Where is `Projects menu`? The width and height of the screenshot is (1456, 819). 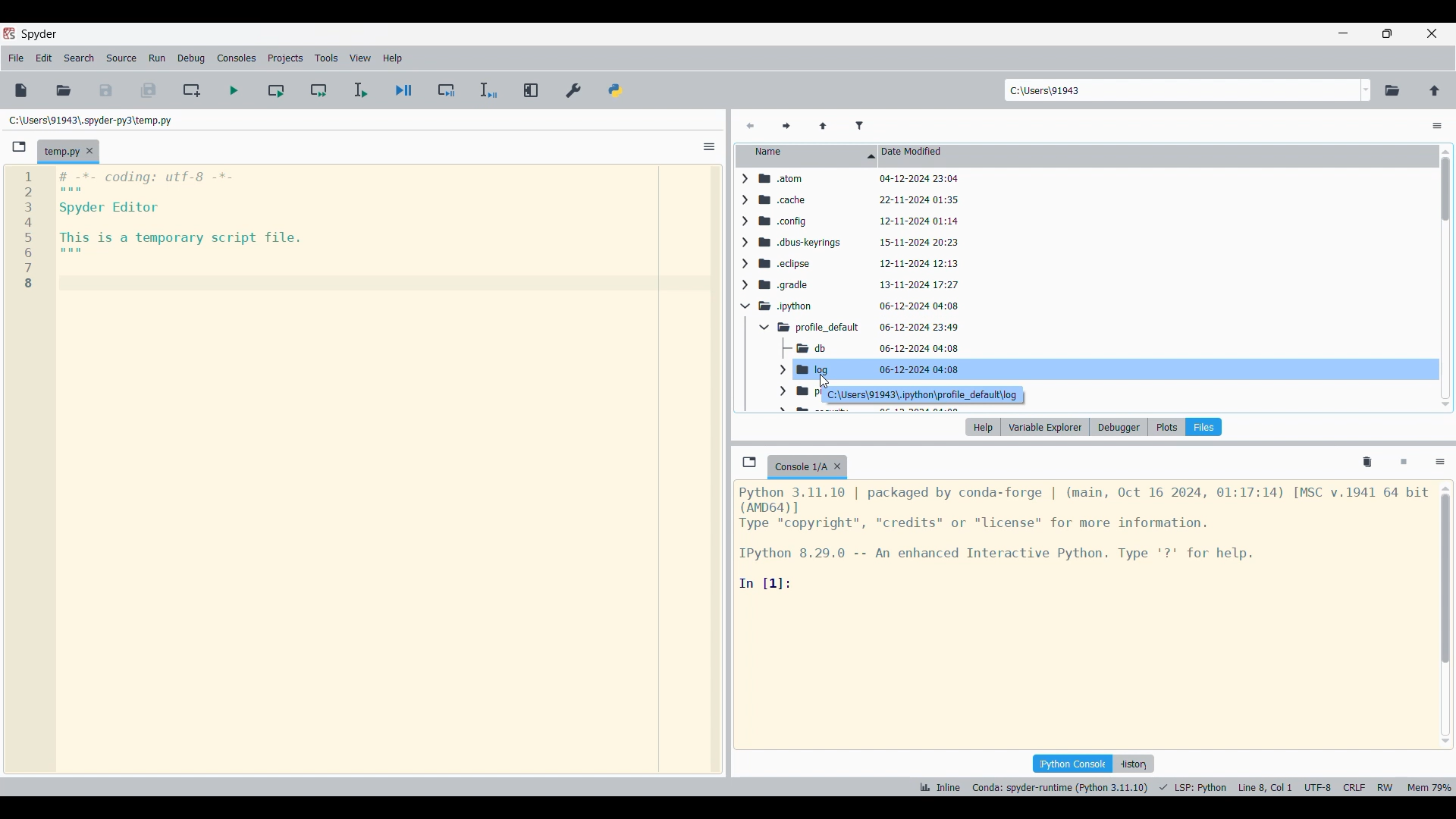
Projects menu is located at coordinates (285, 58).